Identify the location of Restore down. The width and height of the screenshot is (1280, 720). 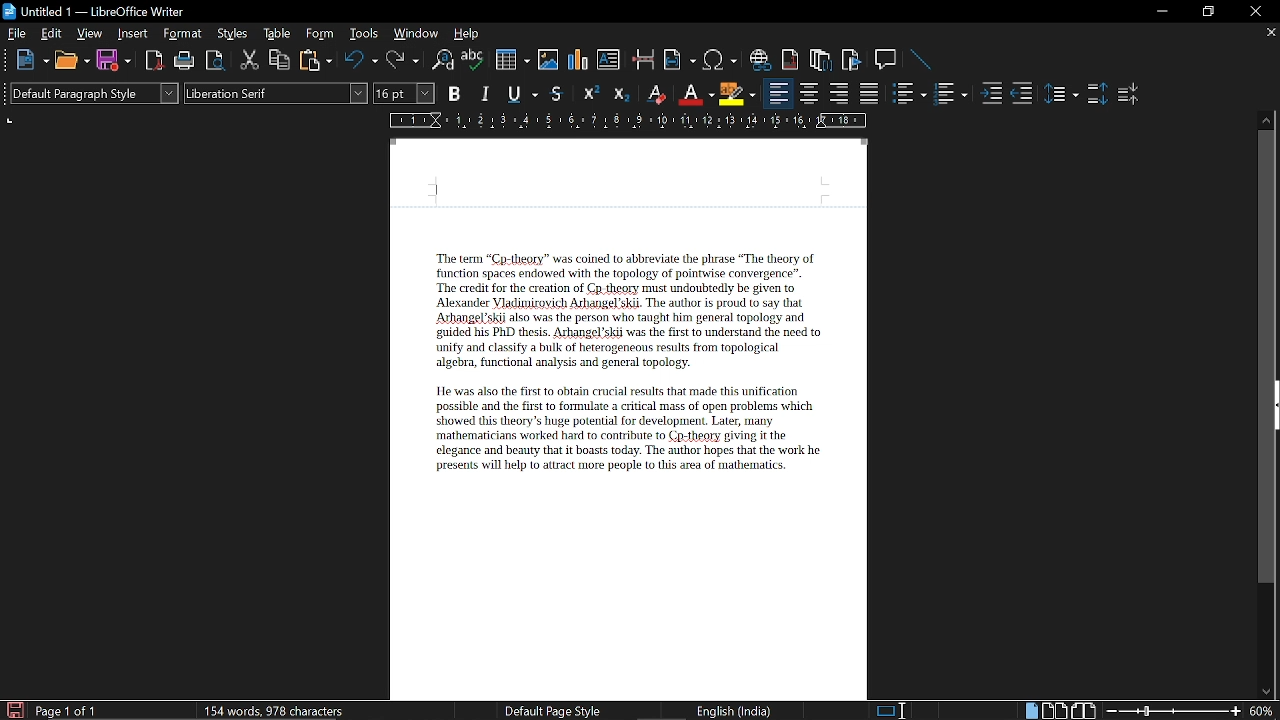
(1207, 10).